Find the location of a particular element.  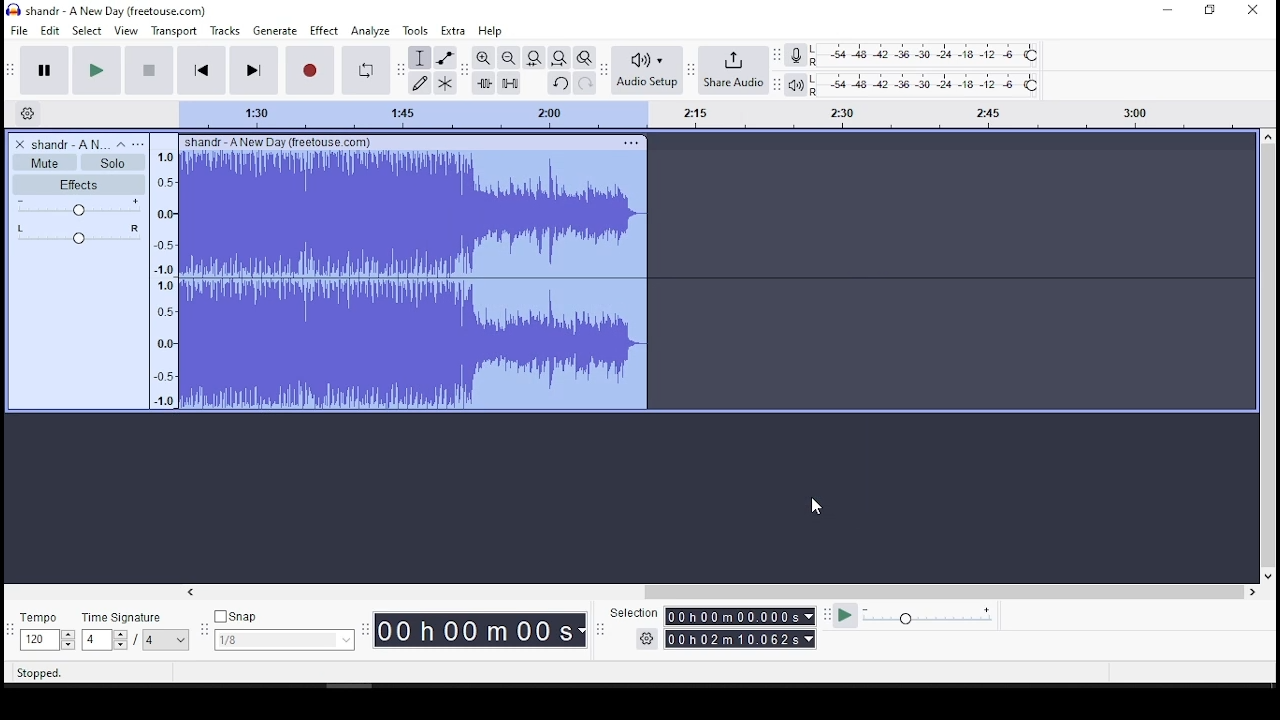

scroll bar is located at coordinates (1267, 359).